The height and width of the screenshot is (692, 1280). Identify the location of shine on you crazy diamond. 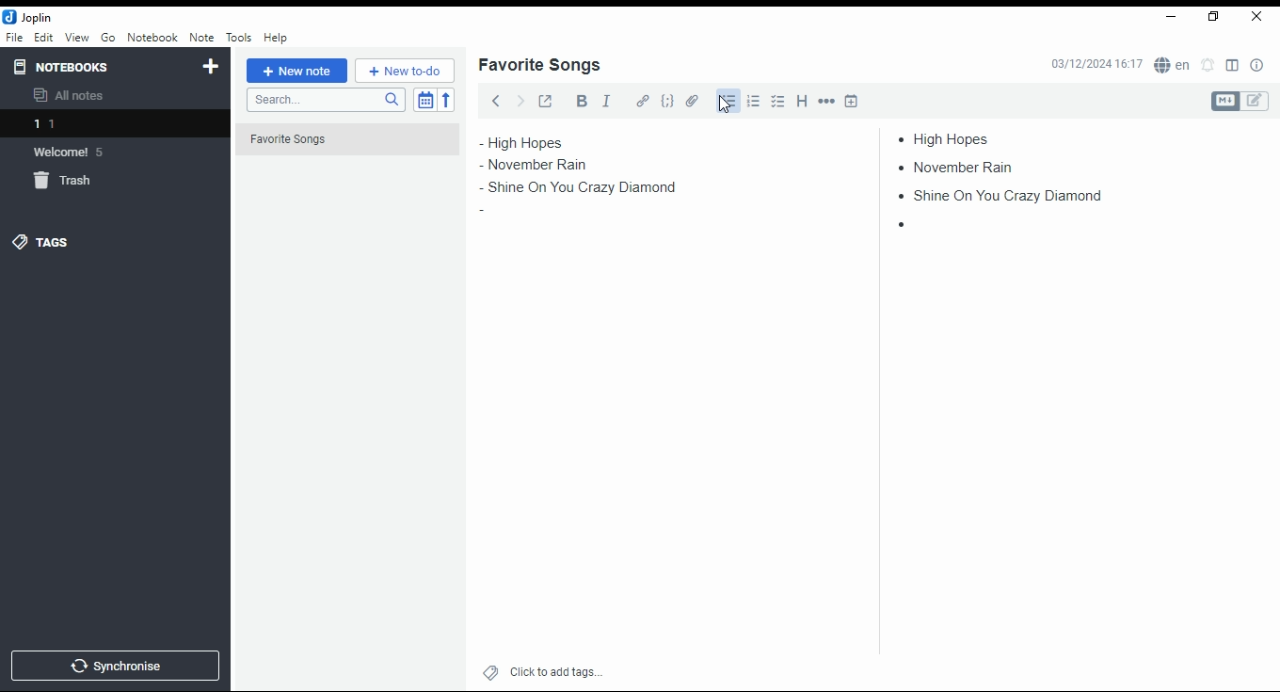
(584, 188).